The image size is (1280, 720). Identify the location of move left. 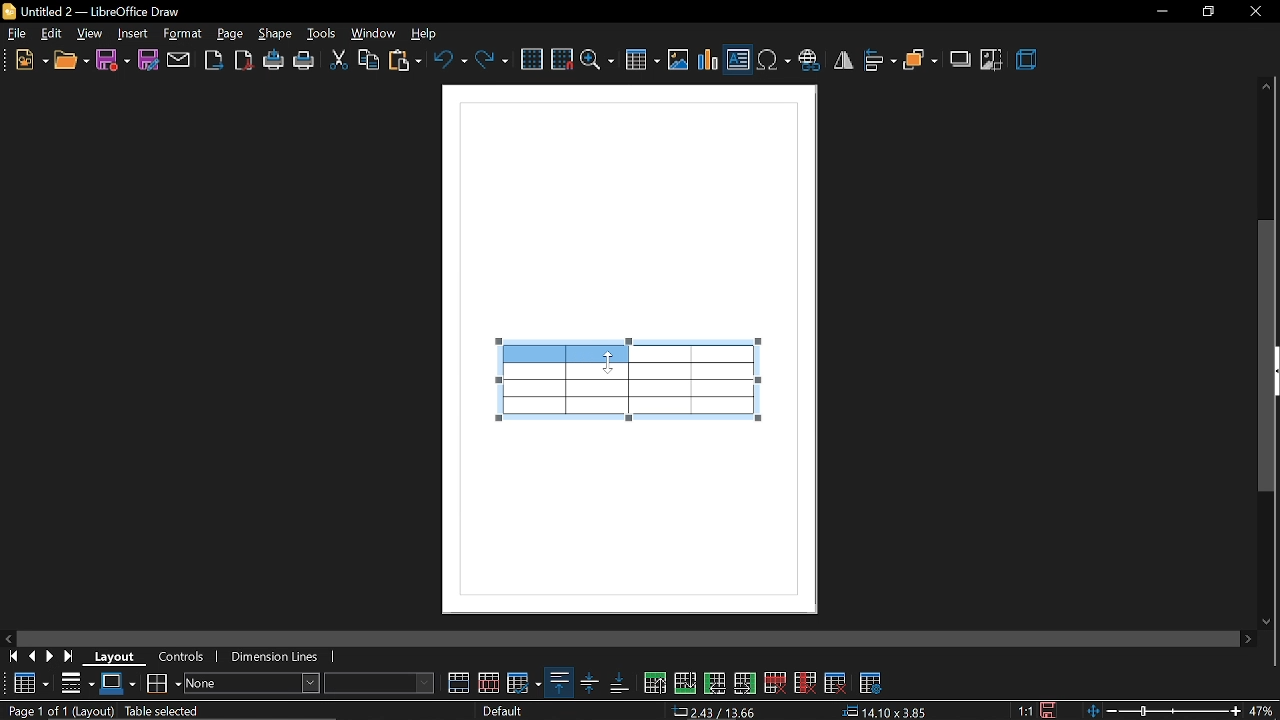
(8, 637).